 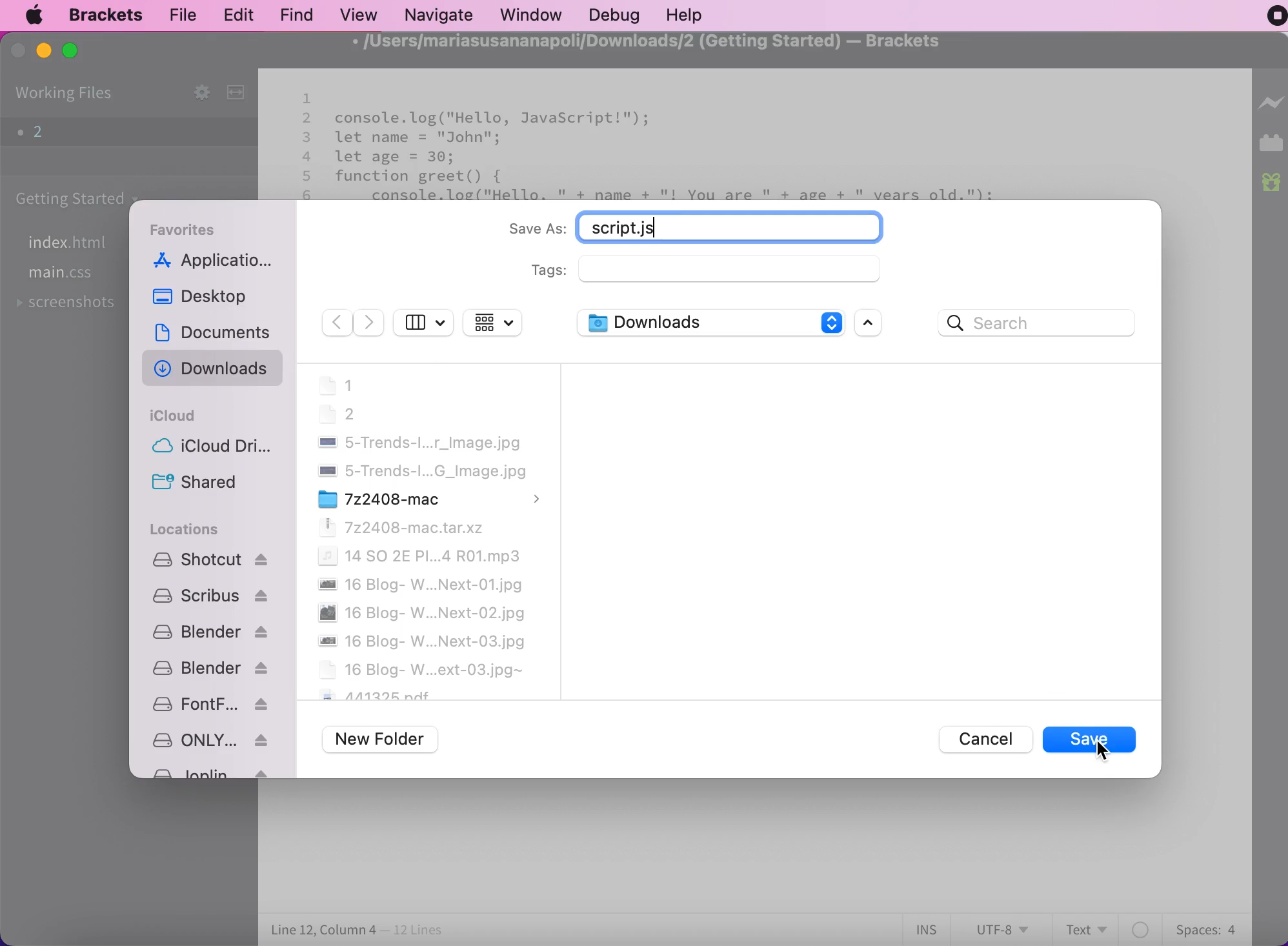 I want to click on 3, so click(x=307, y=137).